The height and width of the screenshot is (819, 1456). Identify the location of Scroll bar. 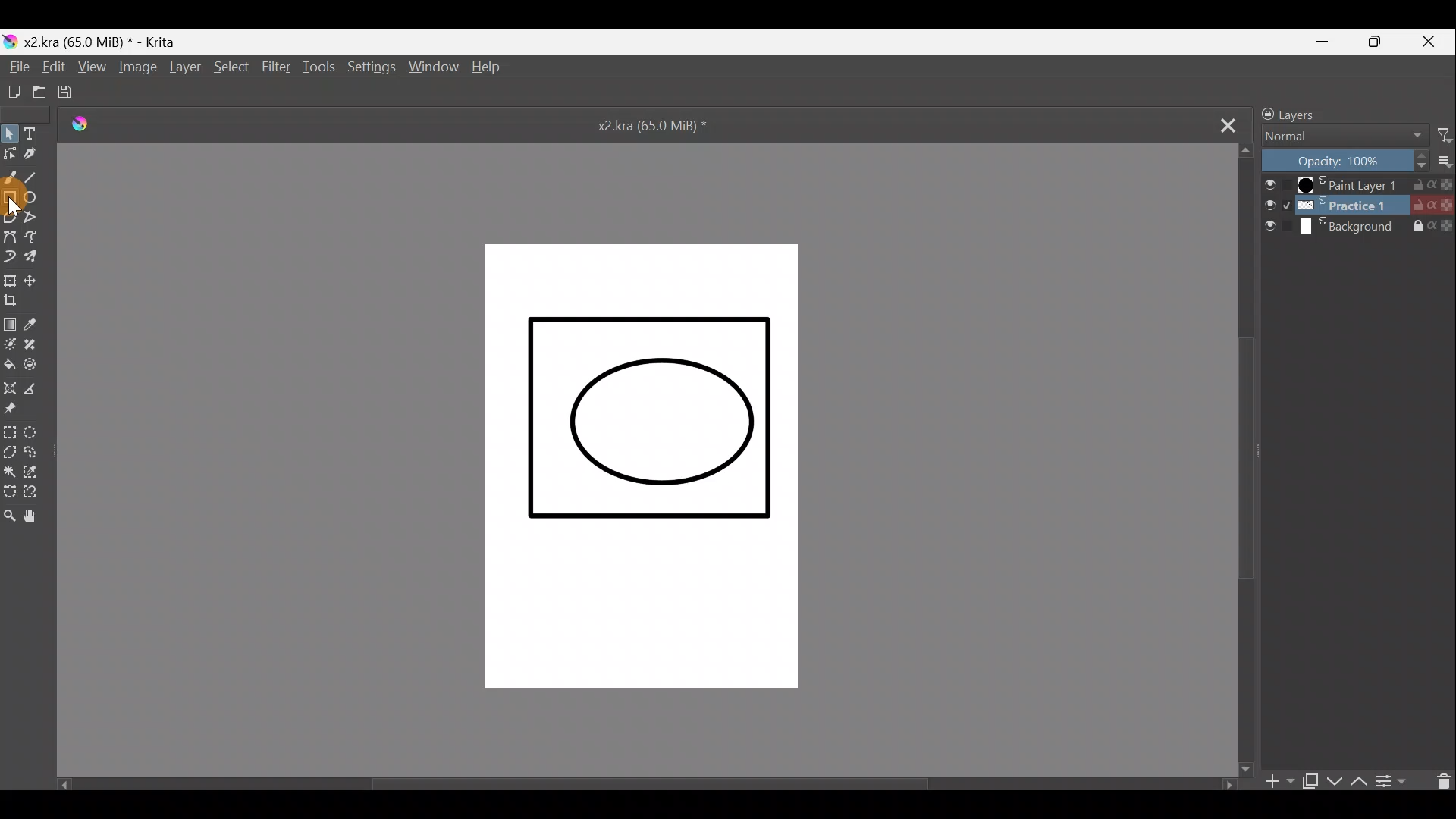
(1246, 457).